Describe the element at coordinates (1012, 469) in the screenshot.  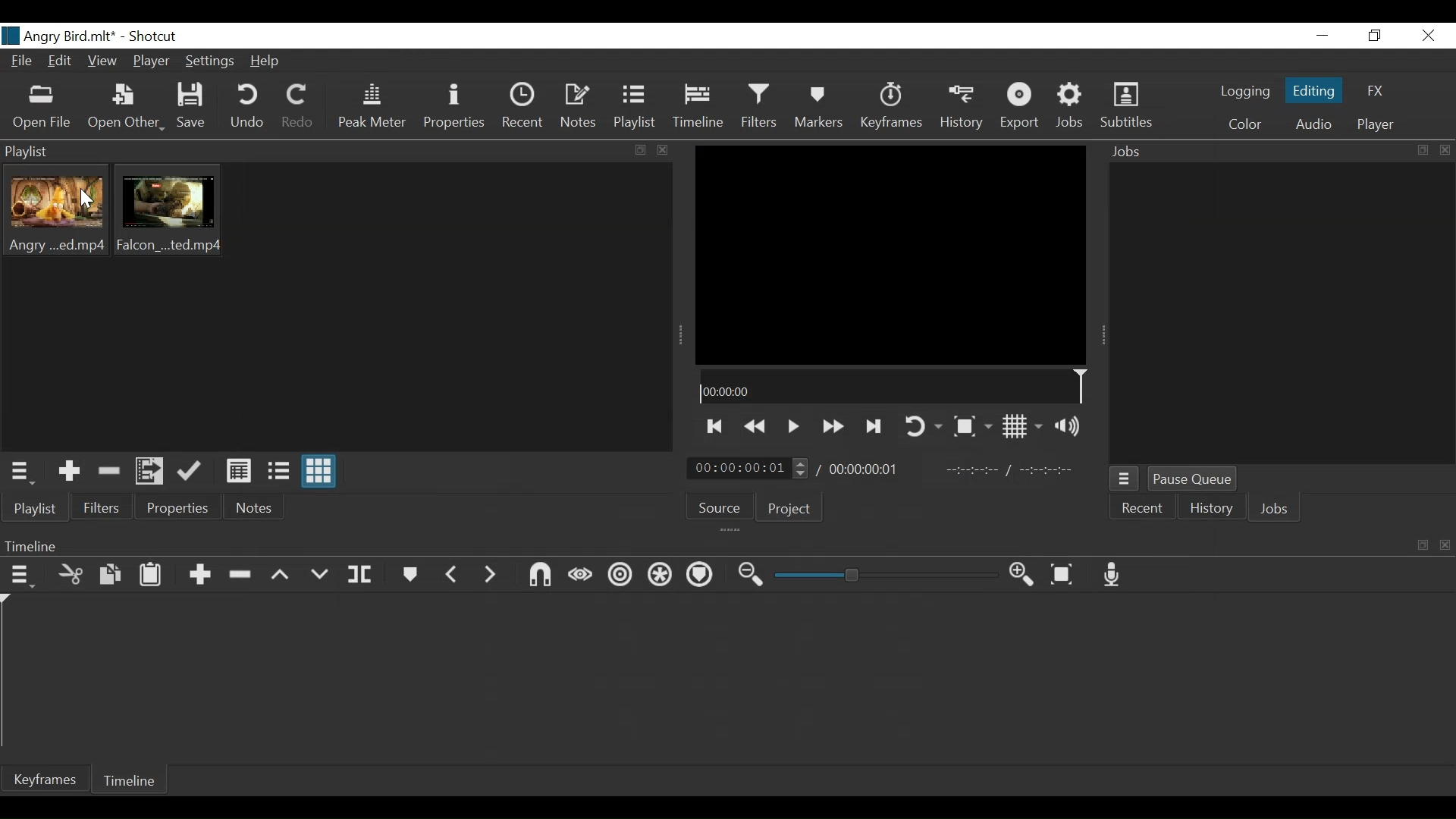
I see `In point` at that location.